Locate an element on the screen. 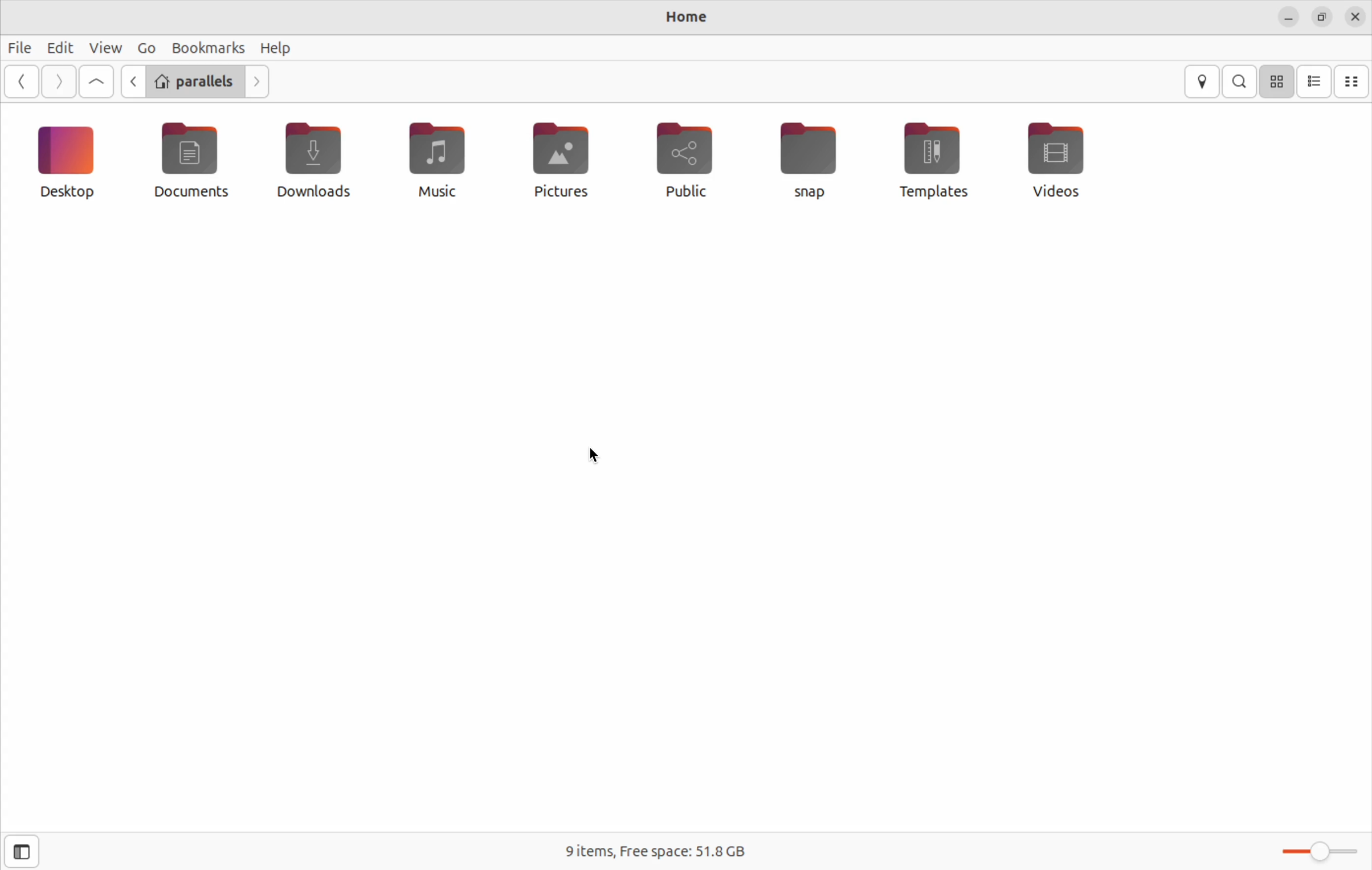 Image resolution: width=1372 pixels, height=870 pixels. next  is located at coordinates (259, 81).